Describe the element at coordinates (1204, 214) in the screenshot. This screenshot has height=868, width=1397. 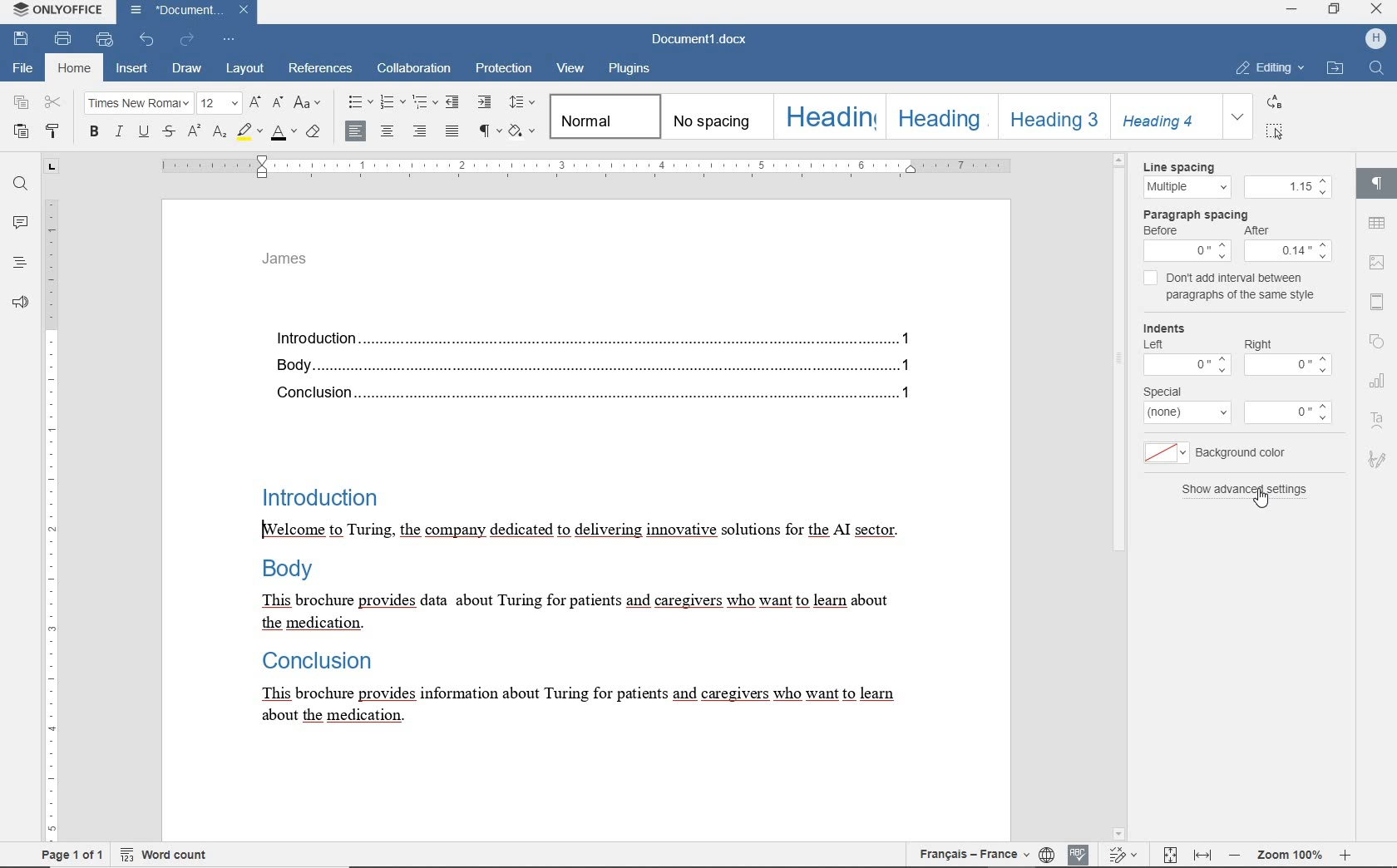
I see `Paragraph spacing` at that location.